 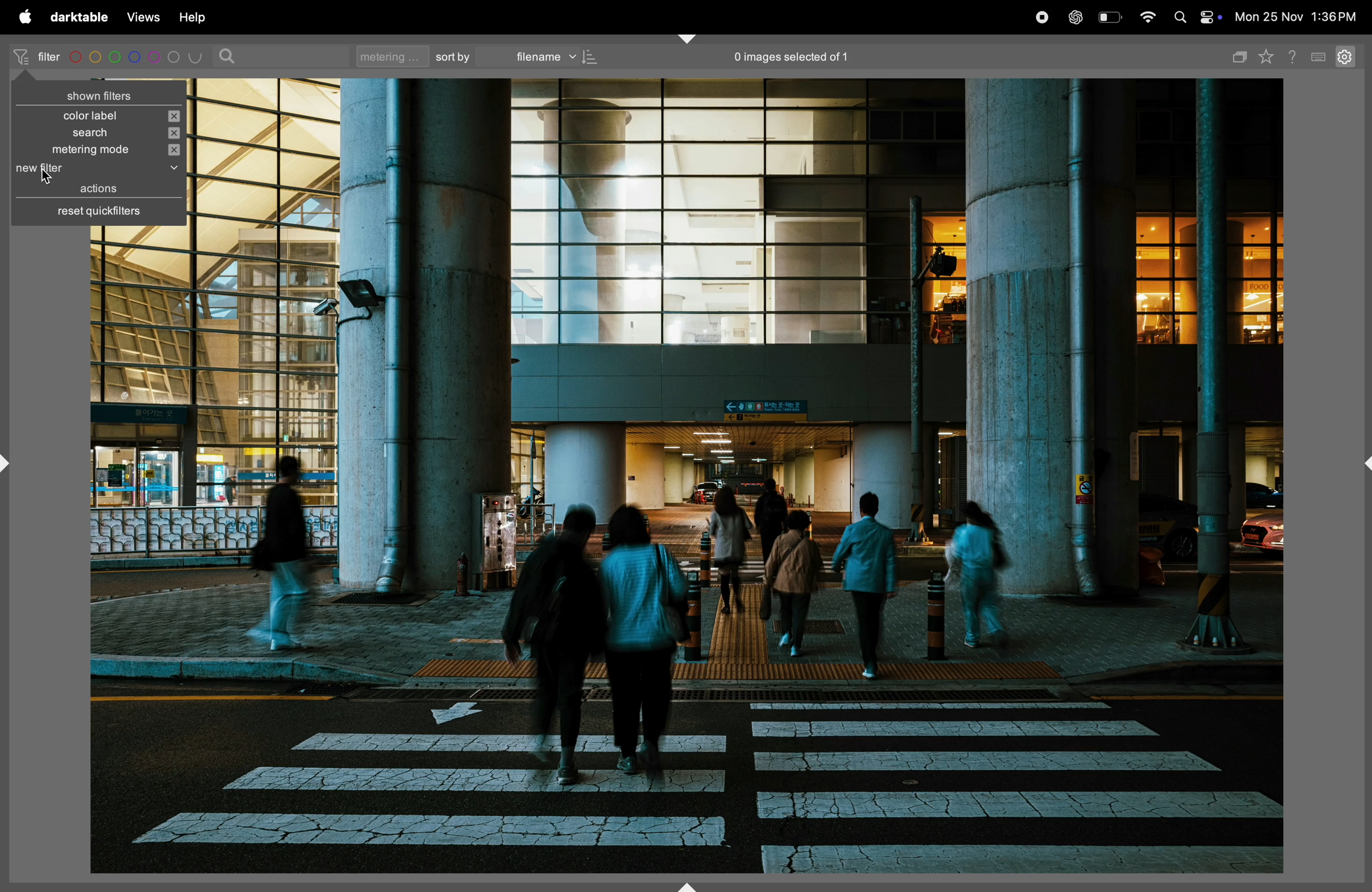 What do you see at coordinates (202, 17) in the screenshot?
I see `help` at bounding box center [202, 17].